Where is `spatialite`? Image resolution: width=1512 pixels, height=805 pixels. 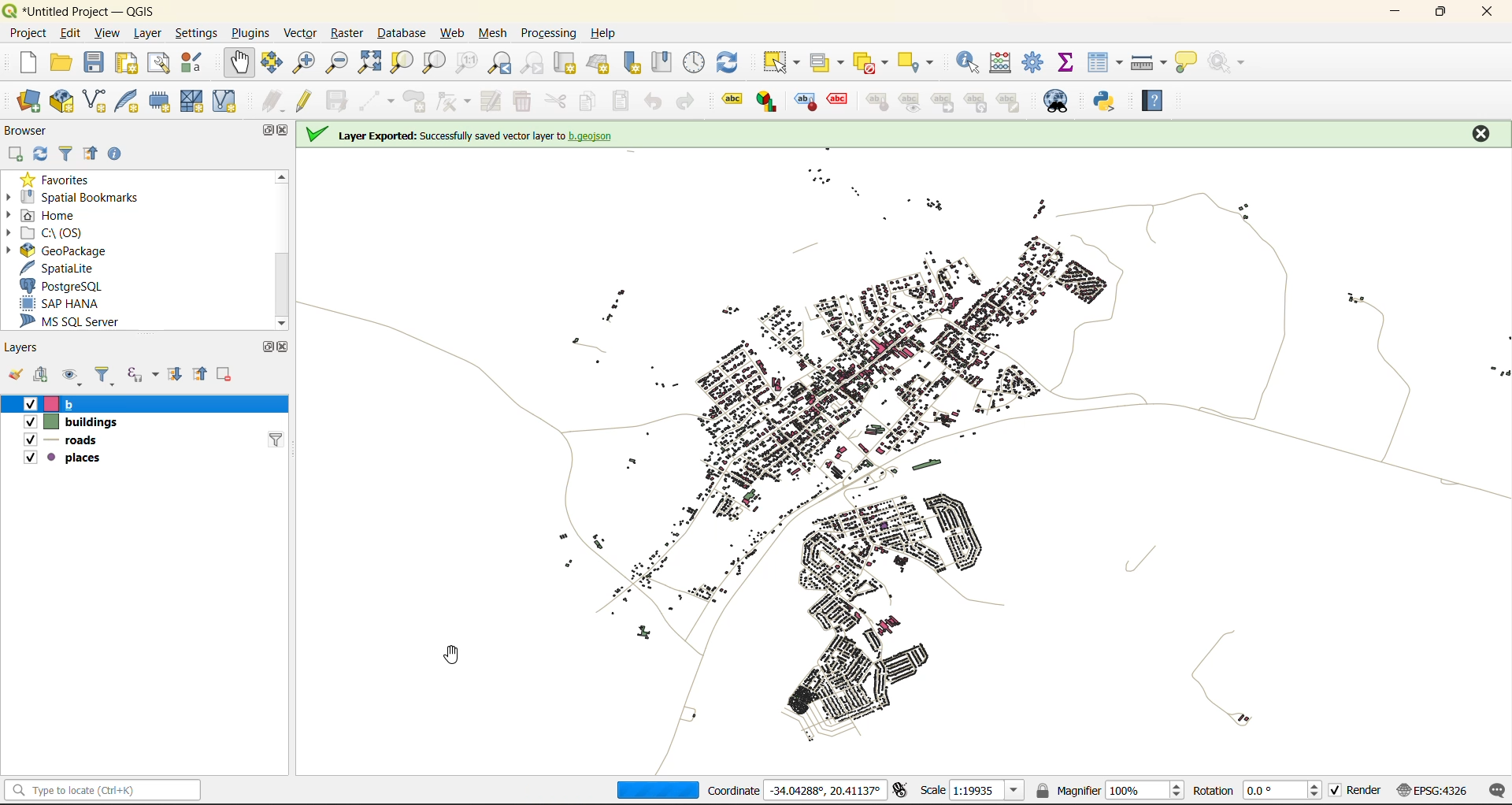 spatialite is located at coordinates (65, 269).